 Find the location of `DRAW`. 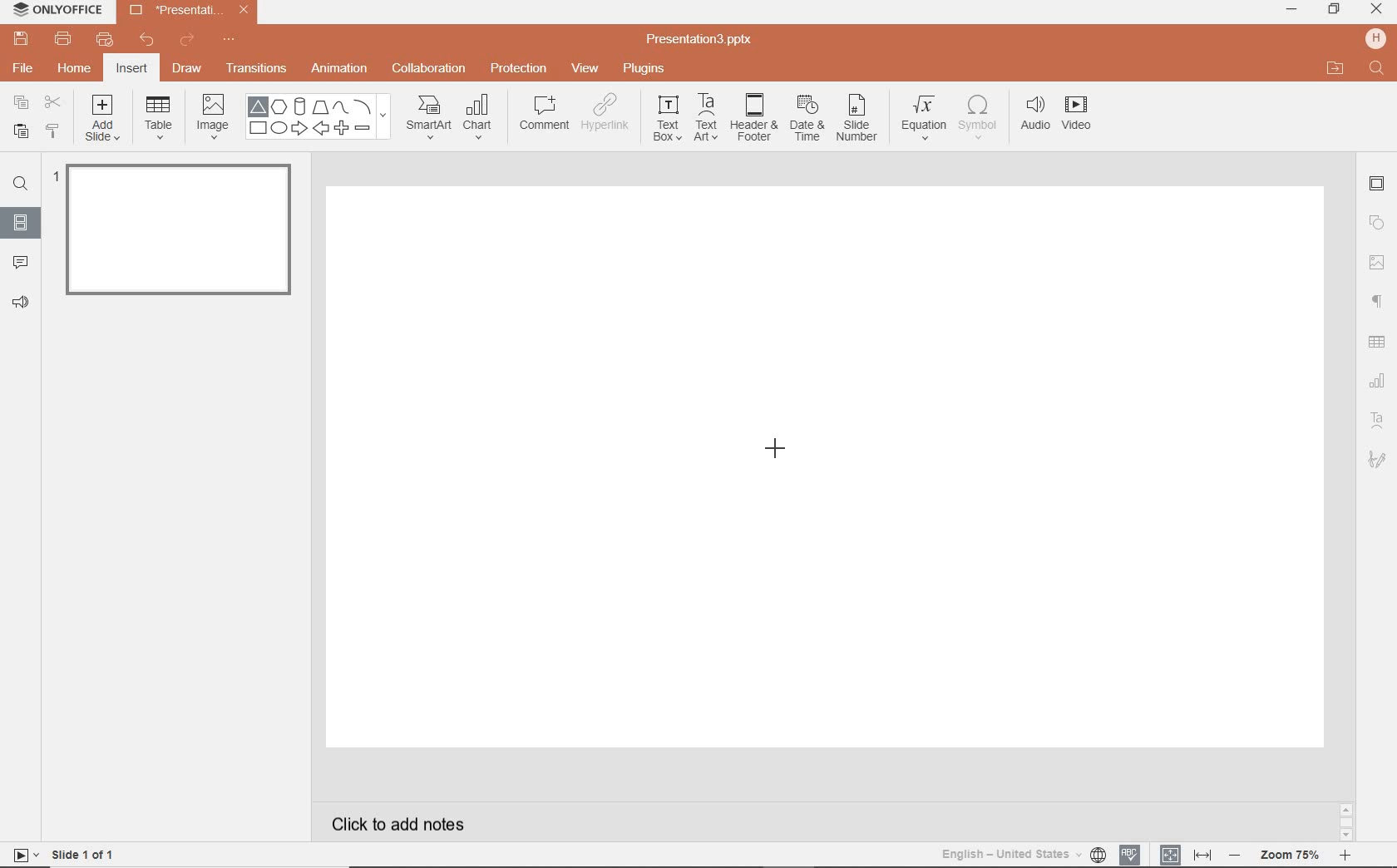

DRAW is located at coordinates (188, 70).